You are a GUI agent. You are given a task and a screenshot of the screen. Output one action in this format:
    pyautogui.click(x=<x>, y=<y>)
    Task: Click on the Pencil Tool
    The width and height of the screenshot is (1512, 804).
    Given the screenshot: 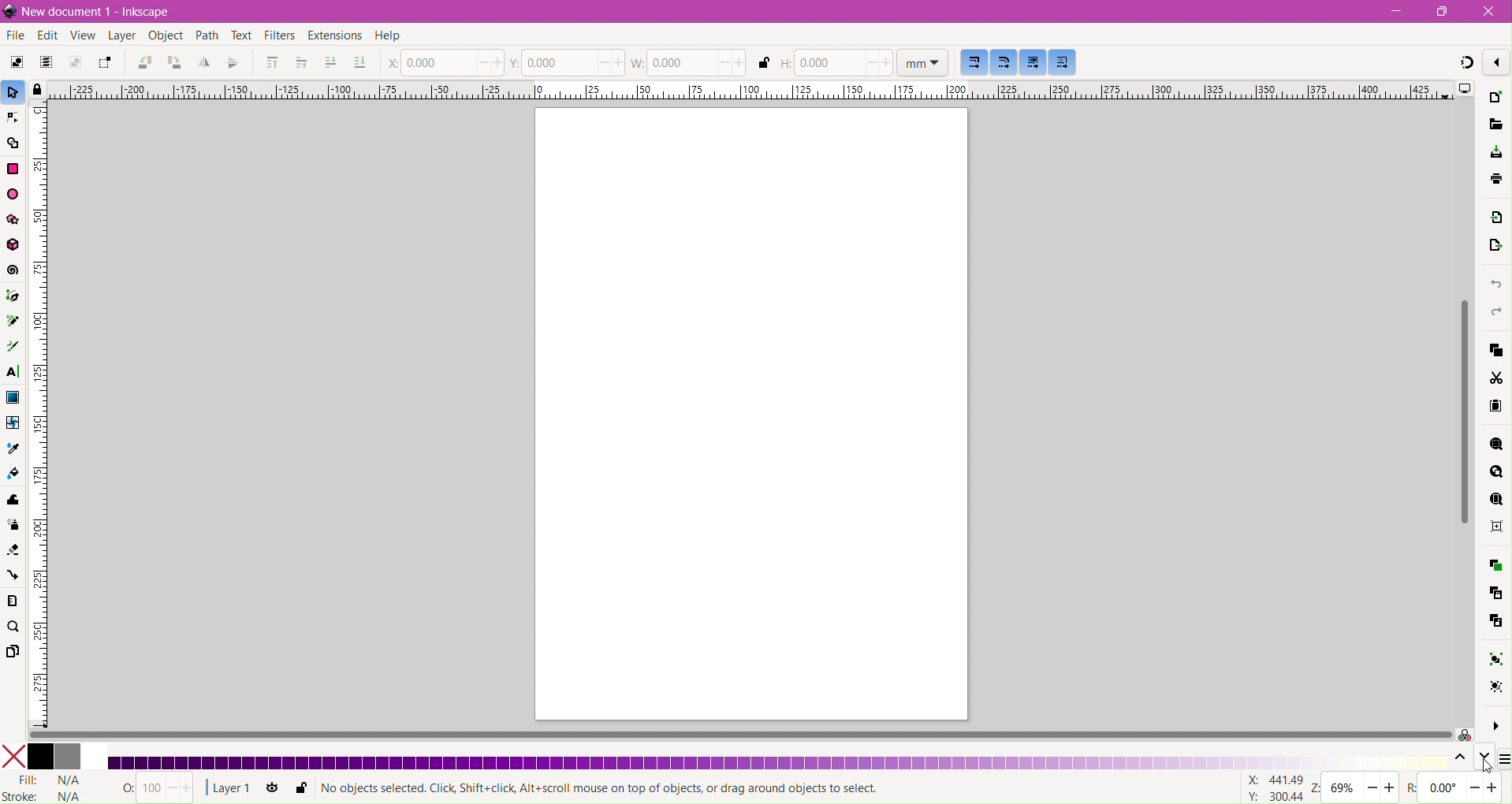 What is the action you would take?
    pyautogui.click(x=13, y=321)
    